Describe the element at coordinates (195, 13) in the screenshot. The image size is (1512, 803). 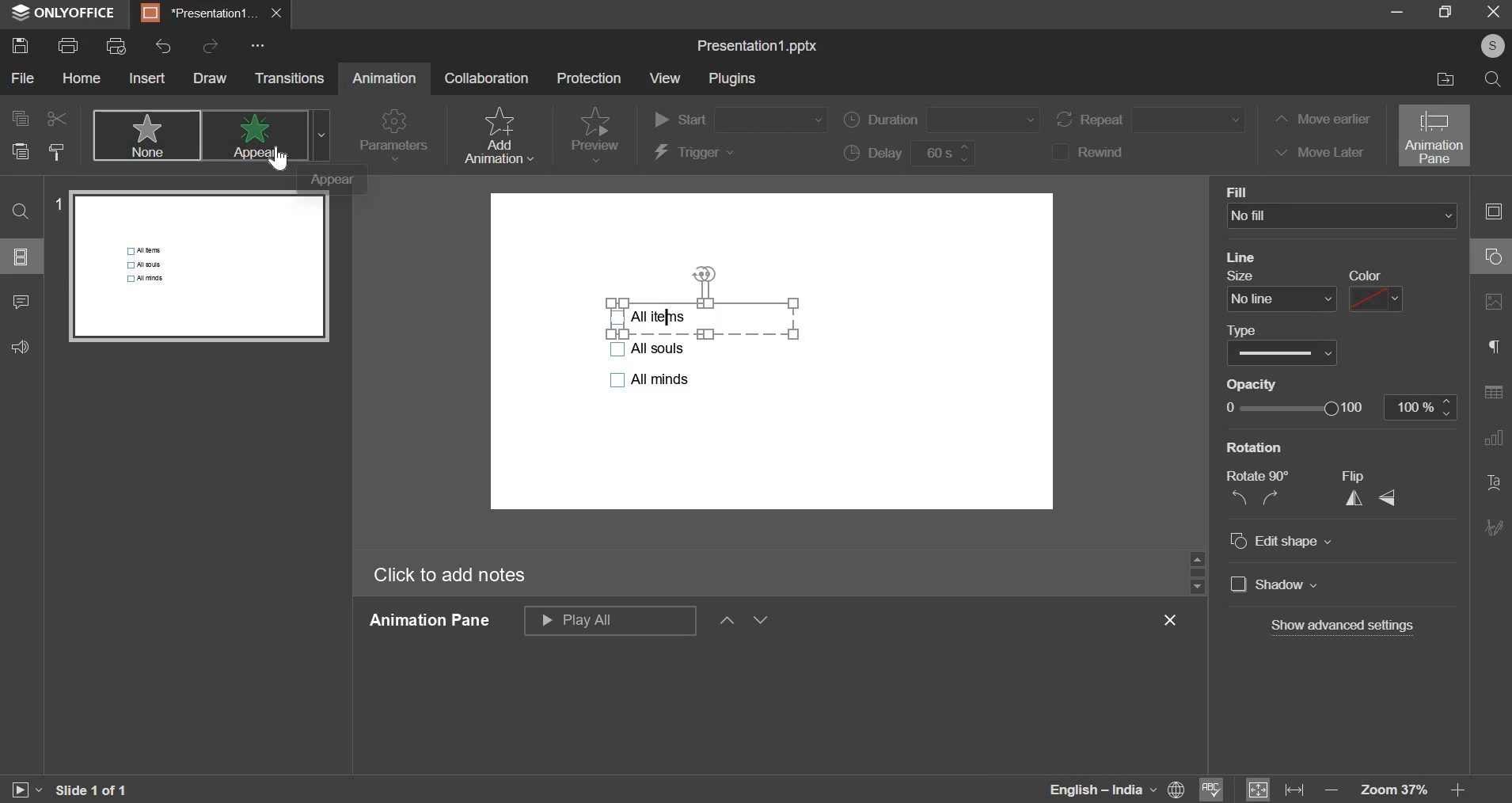
I see `presentation1` at that location.